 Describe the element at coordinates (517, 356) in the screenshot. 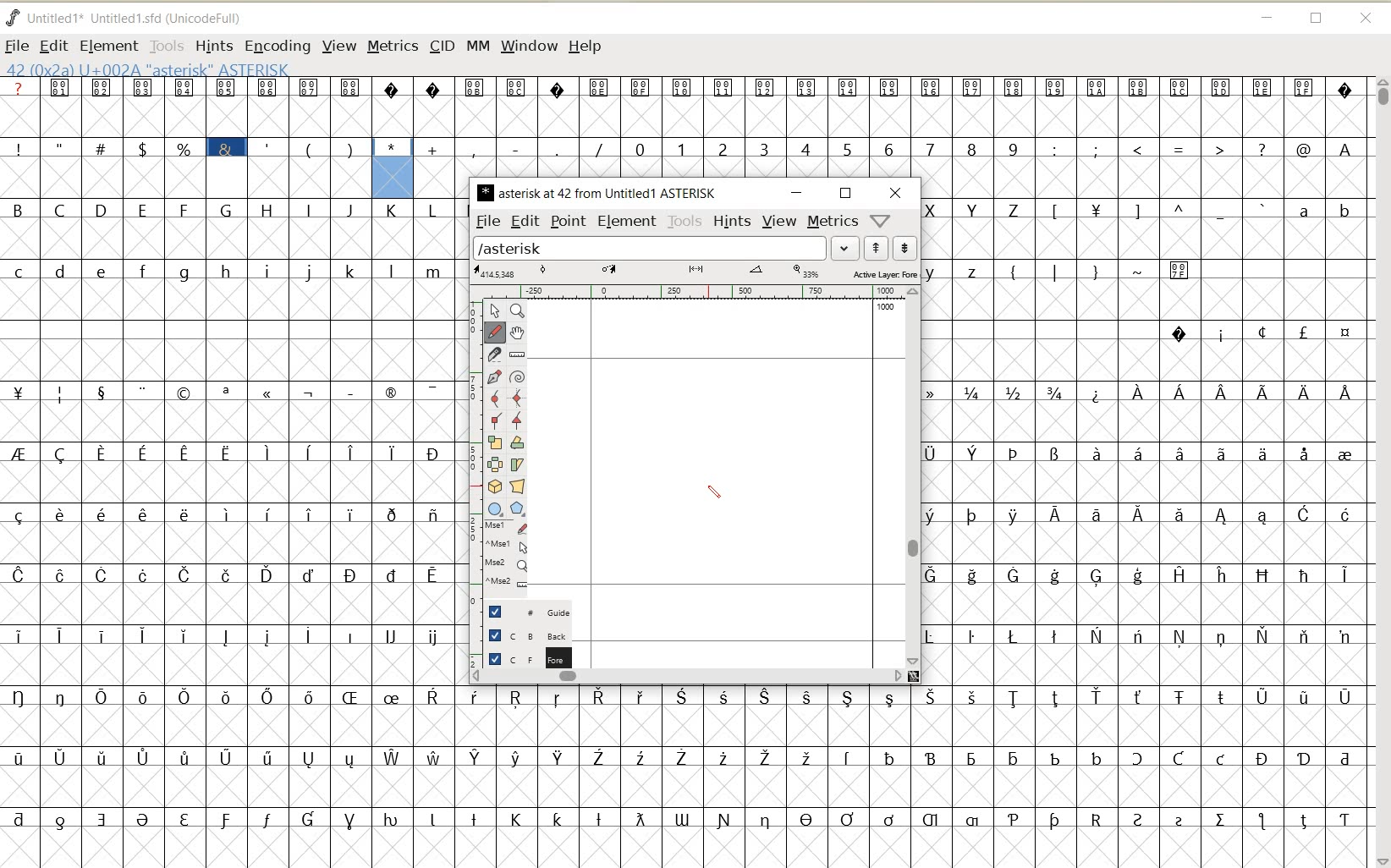

I see `measure distance, angle between points` at that location.